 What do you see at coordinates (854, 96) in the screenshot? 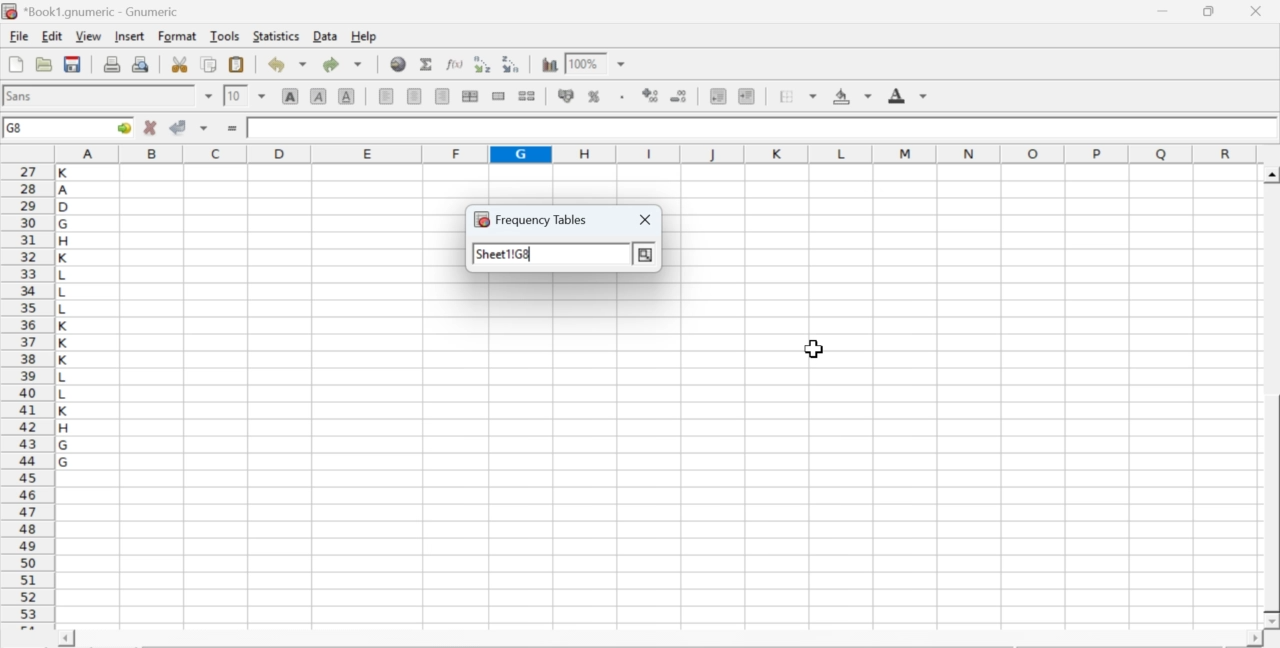
I see `background` at bounding box center [854, 96].